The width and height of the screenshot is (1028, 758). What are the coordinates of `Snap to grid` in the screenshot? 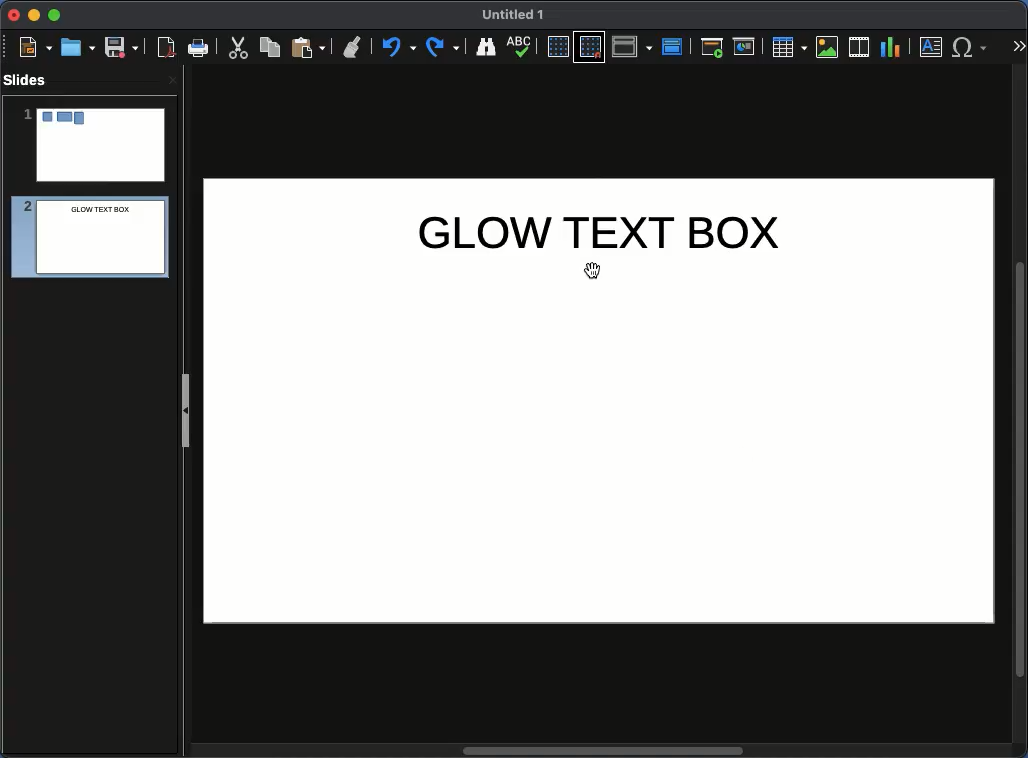 It's located at (592, 46).